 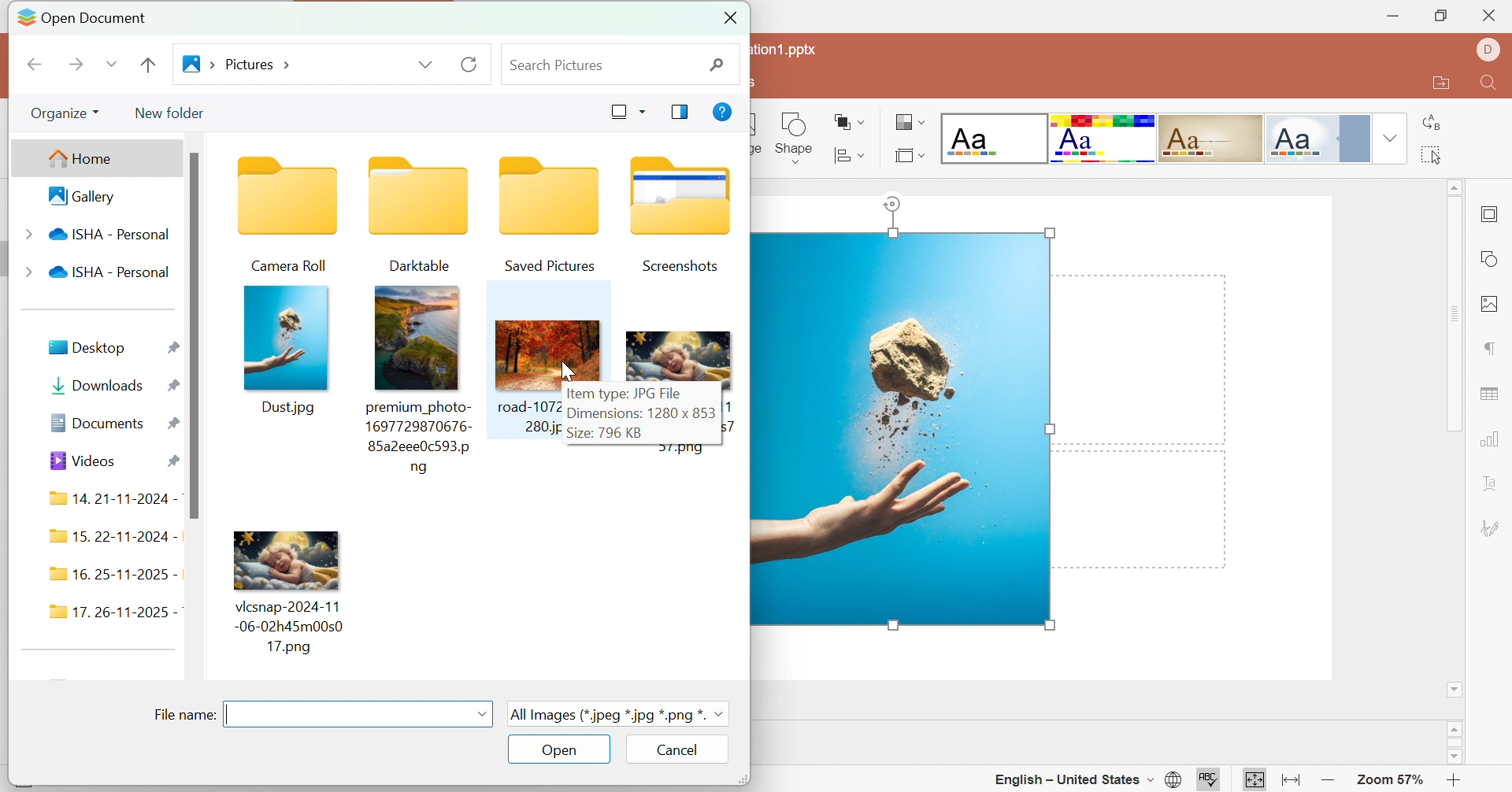 What do you see at coordinates (170, 112) in the screenshot?
I see `New folder` at bounding box center [170, 112].